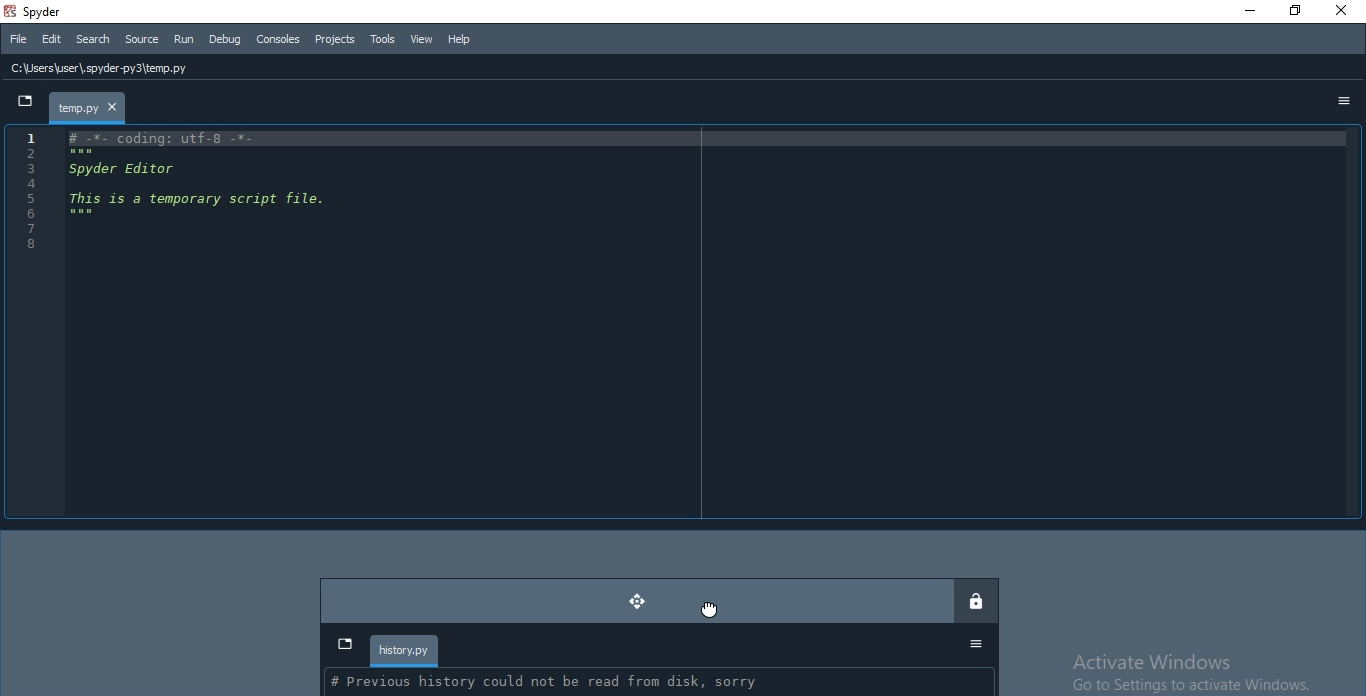  Describe the element at coordinates (420, 38) in the screenshot. I see `View` at that location.